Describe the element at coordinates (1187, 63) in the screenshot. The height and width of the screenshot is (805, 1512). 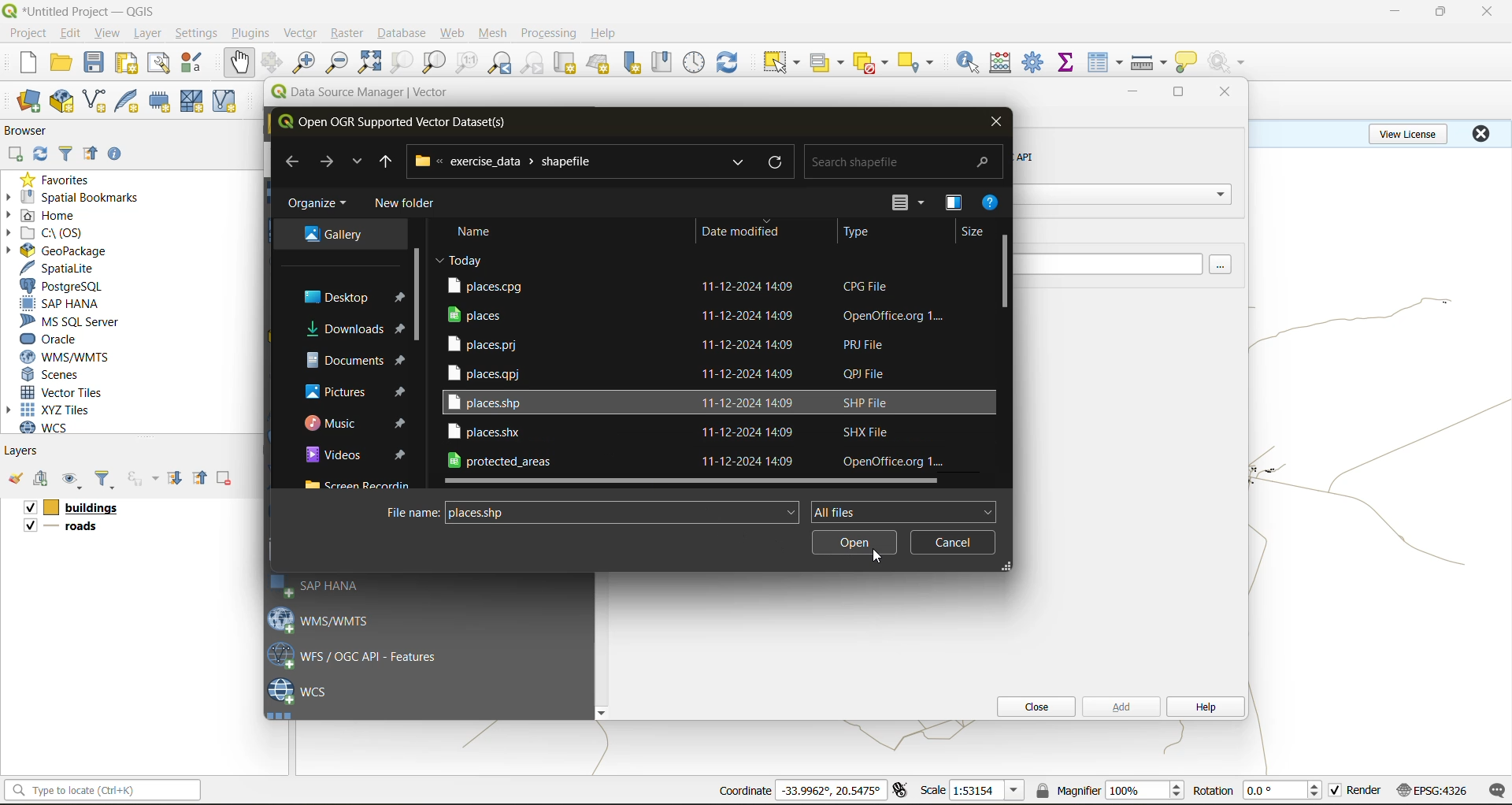
I see `show tips` at that location.